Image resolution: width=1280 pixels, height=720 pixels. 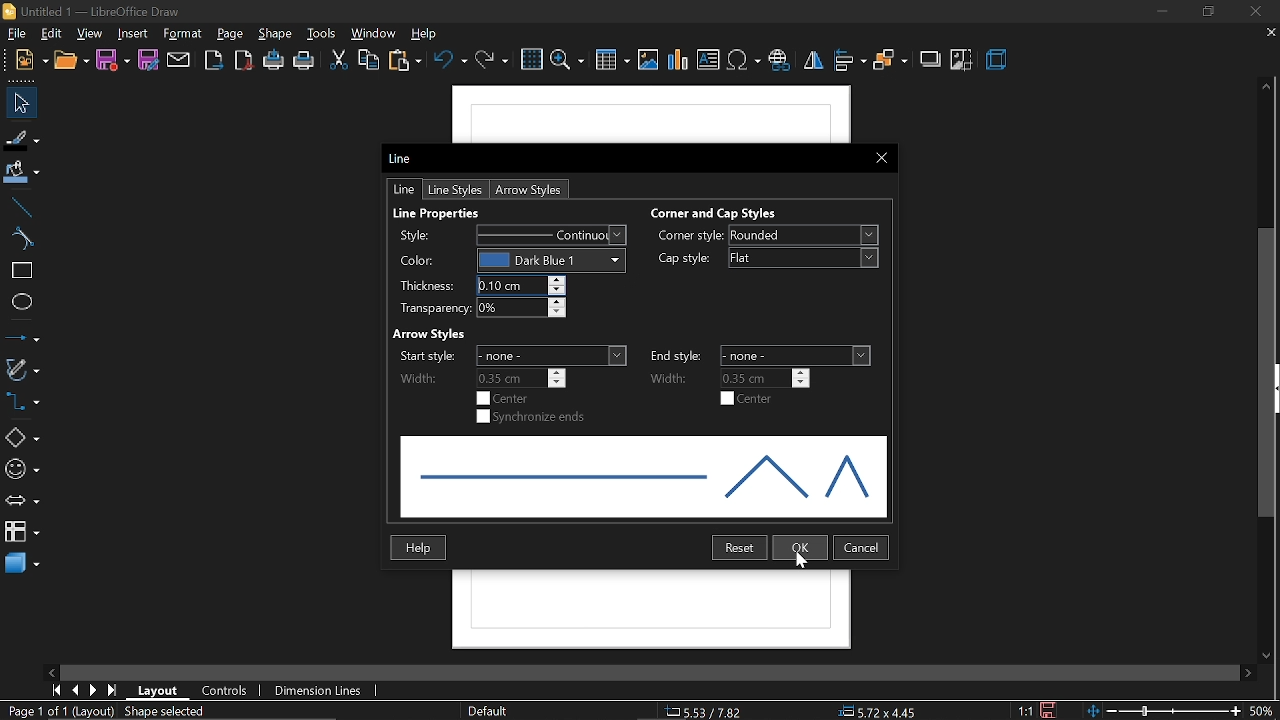 What do you see at coordinates (806, 258) in the screenshot?
I see `cap style` at bounding box center [806, 258].